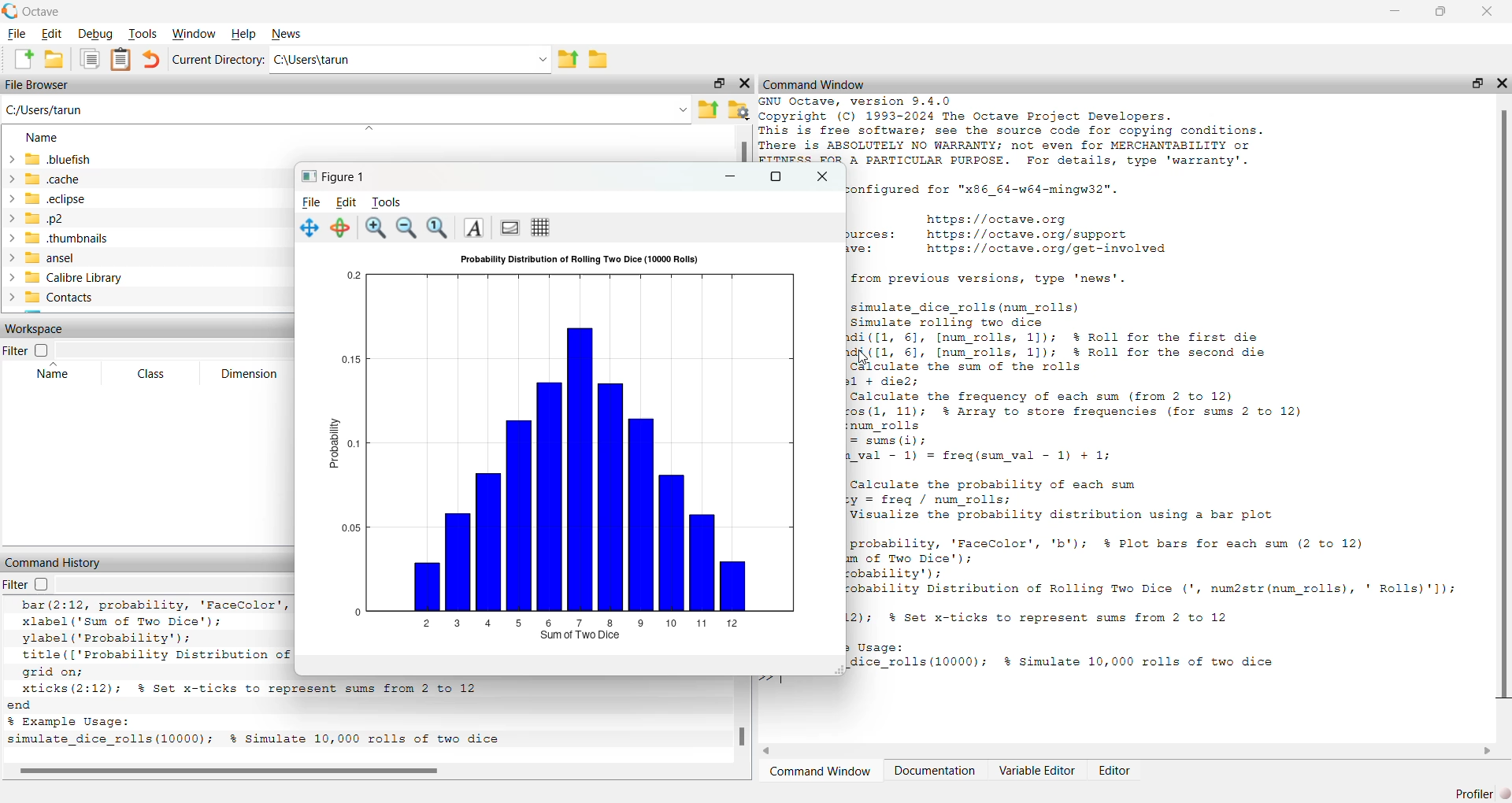 The height and width of the screenshot is (803, 1512). I want to click on Help, so click(239, 33).